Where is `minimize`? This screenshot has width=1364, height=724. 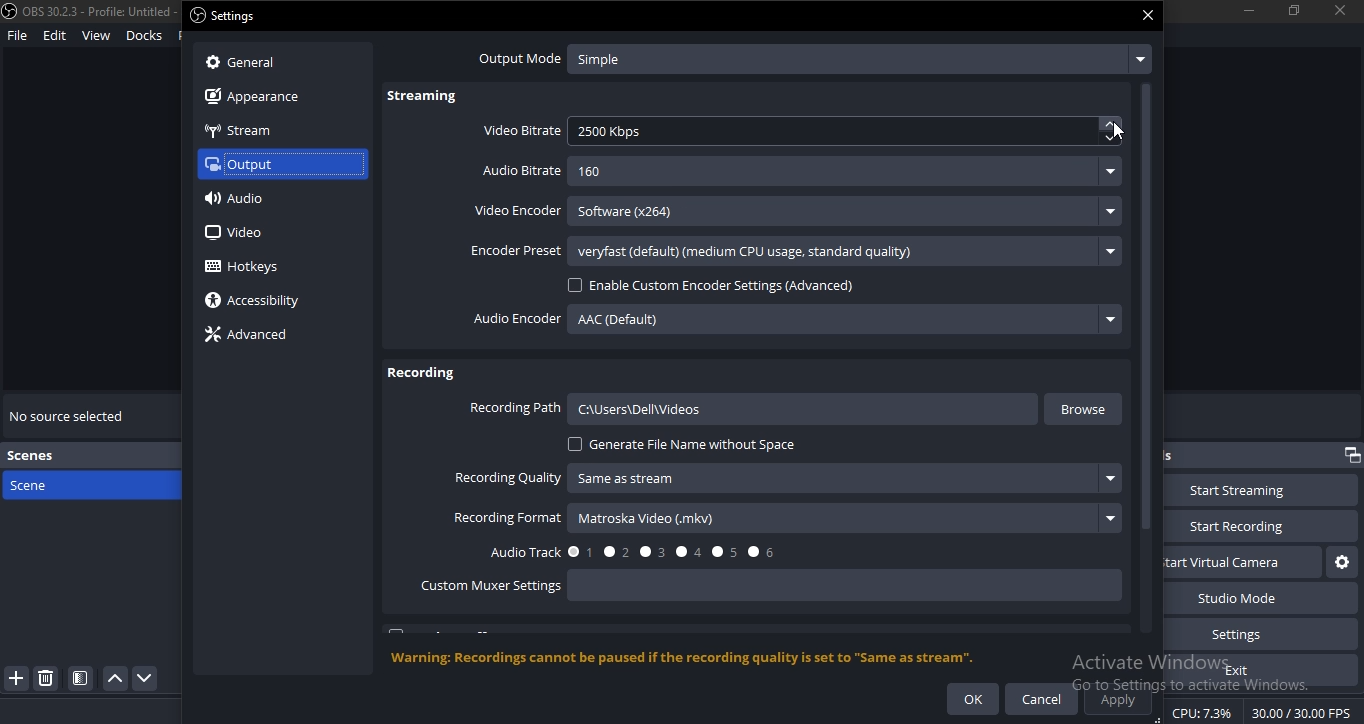
minimize is located at coordinates (1248, 10).